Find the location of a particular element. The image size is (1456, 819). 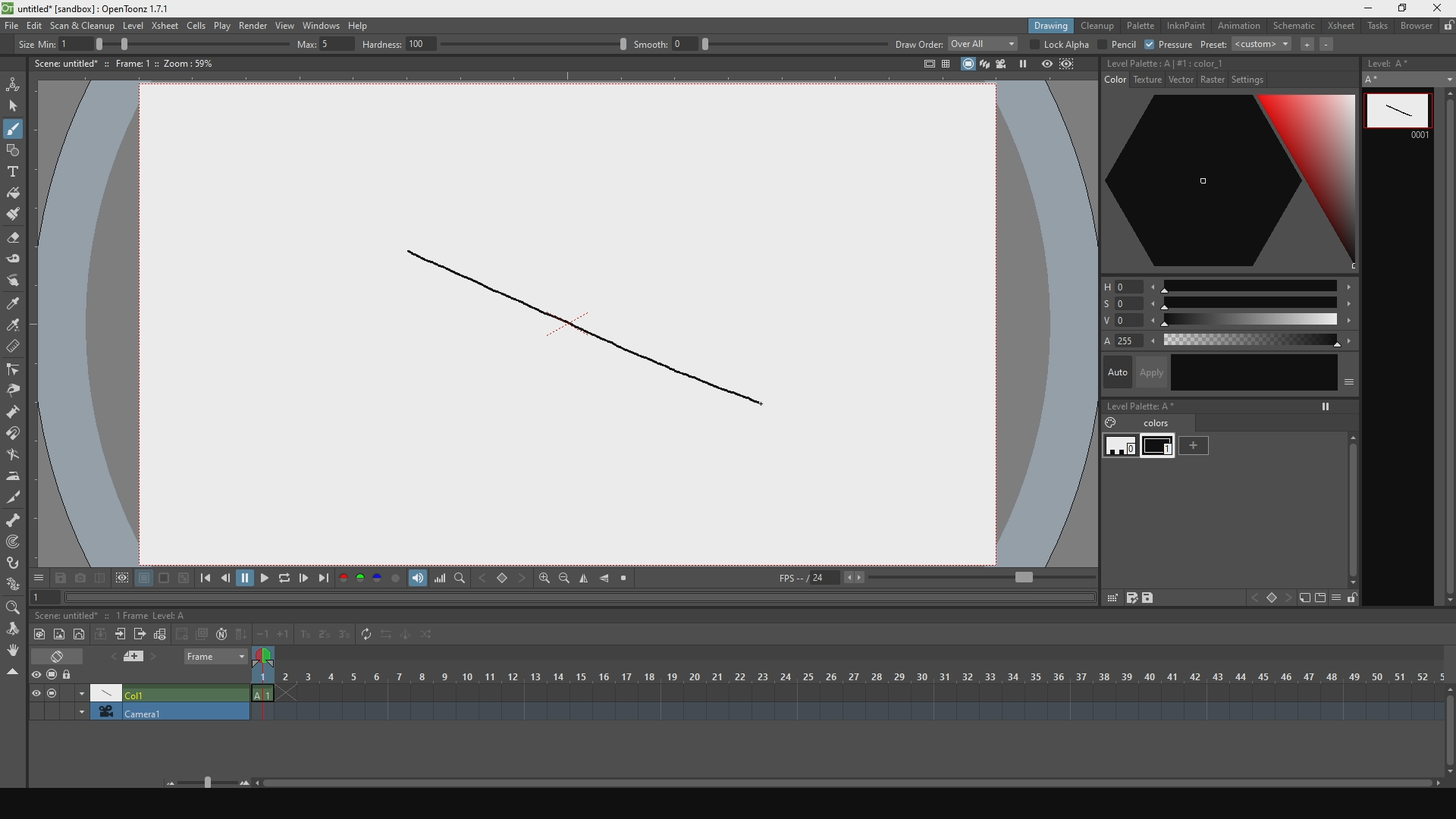

turn is located at coordinates (17, 457).